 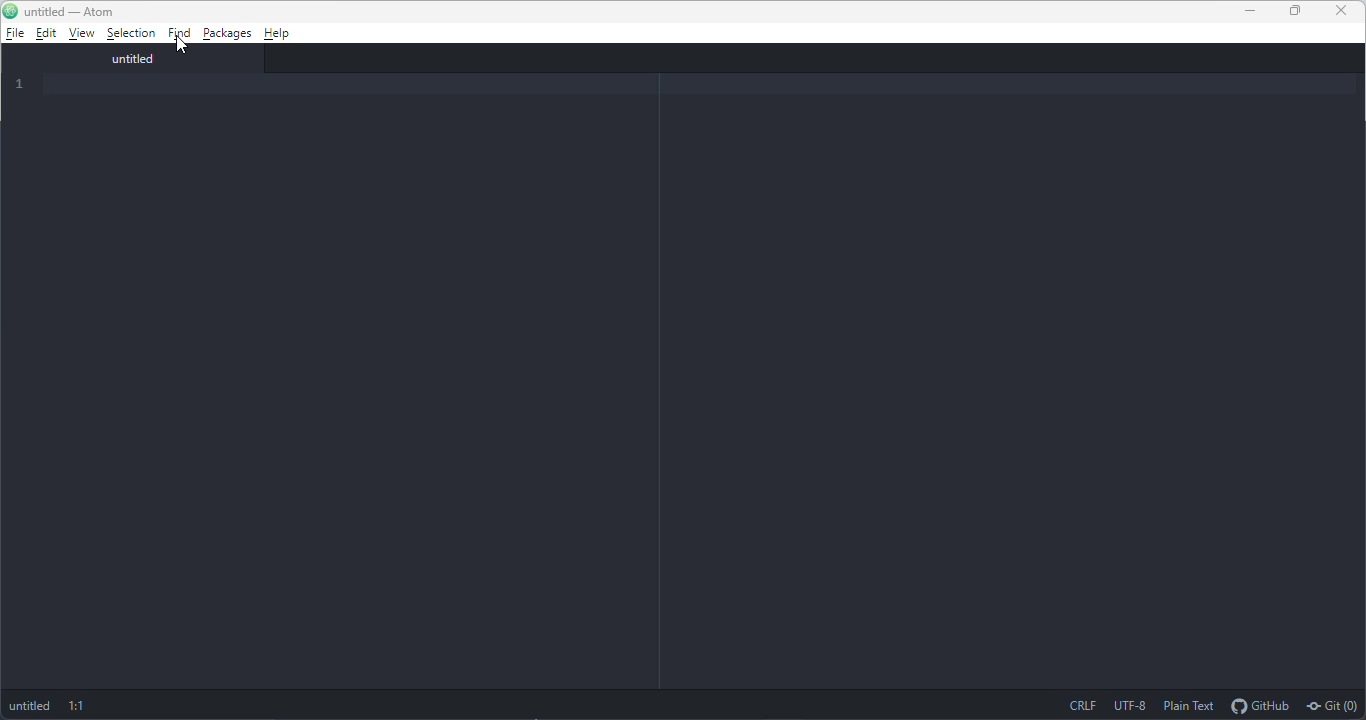 What do you see at coordinates (1340, 11) in the screenshot?
I see `close` at bounding box center [1340, 11].